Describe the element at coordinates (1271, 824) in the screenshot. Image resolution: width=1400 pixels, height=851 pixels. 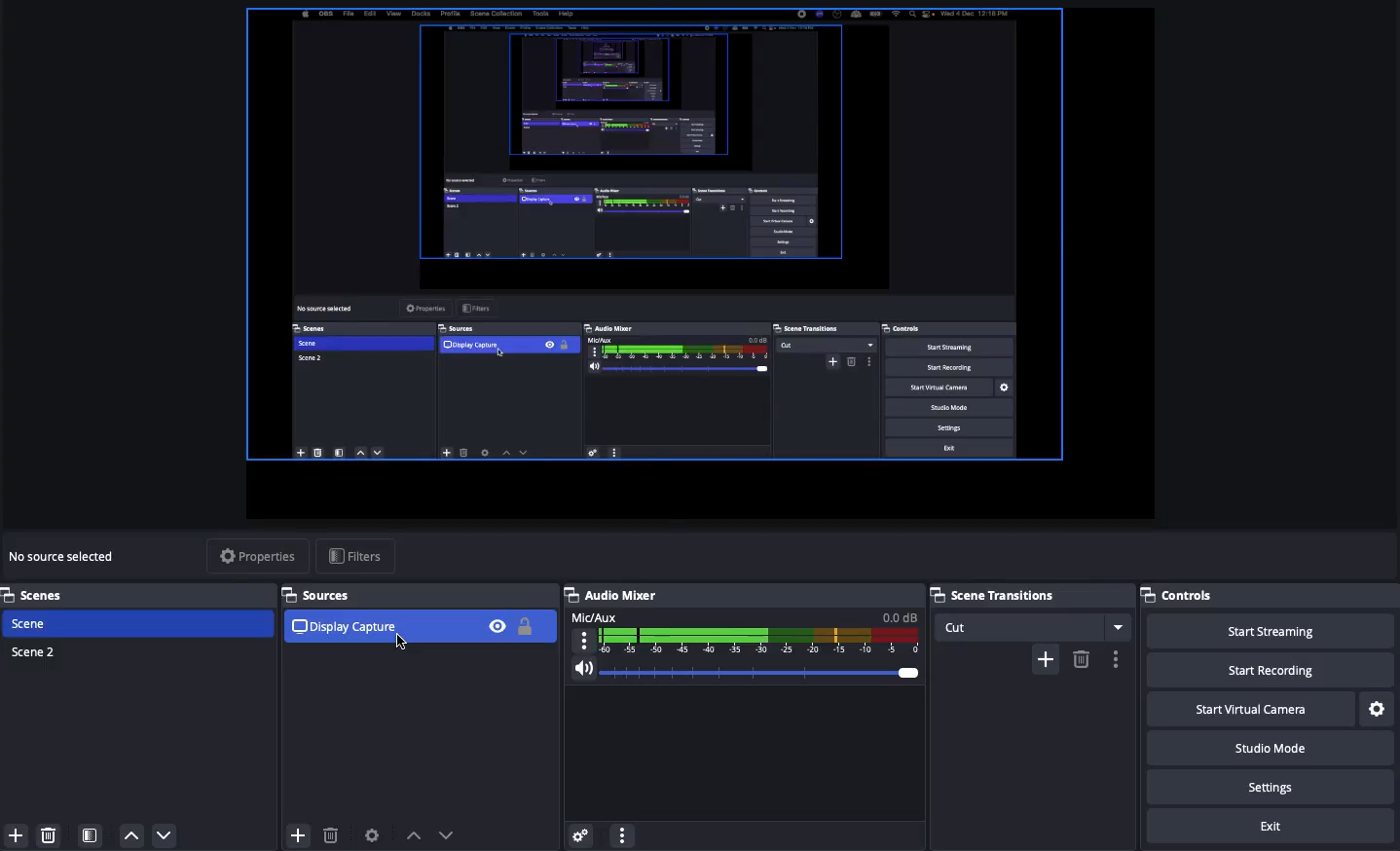
I see `Exit` at that location.